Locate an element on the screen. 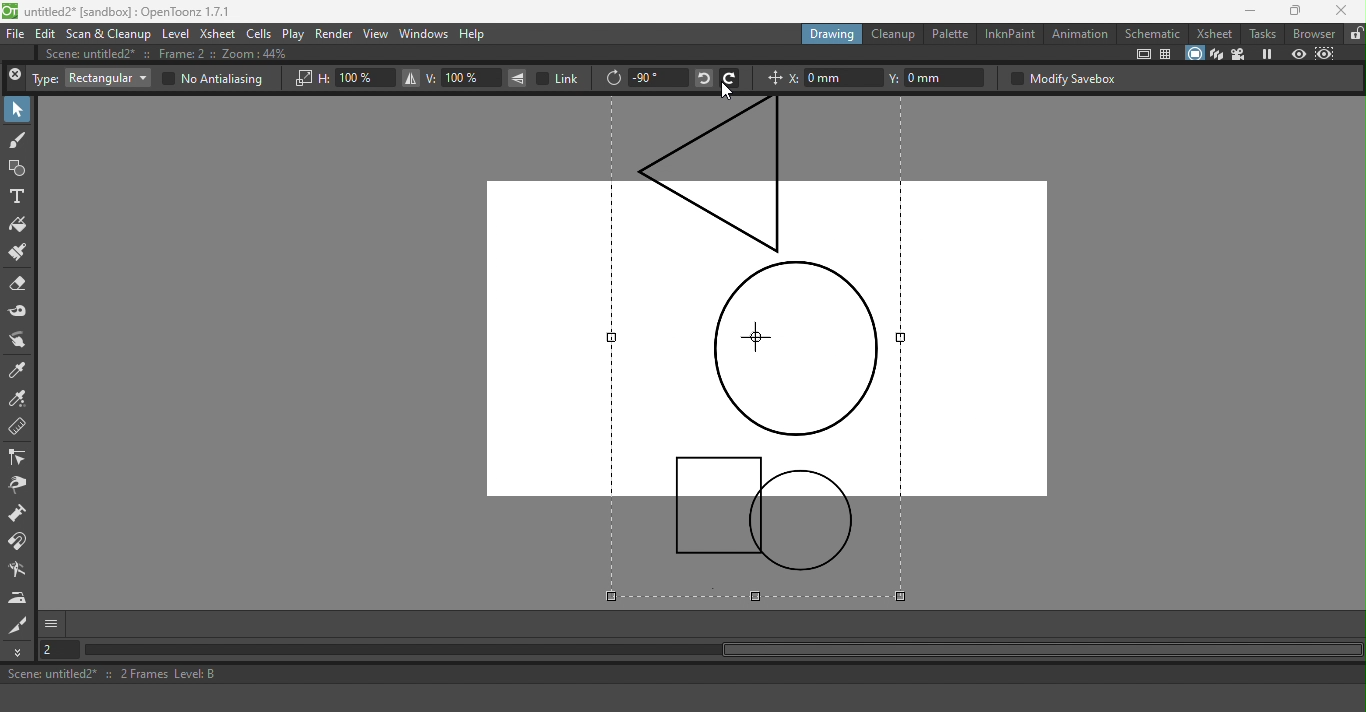 The height and width of the screenshot is (712, 1366). V: 0% is located at coordinates (463, 78).